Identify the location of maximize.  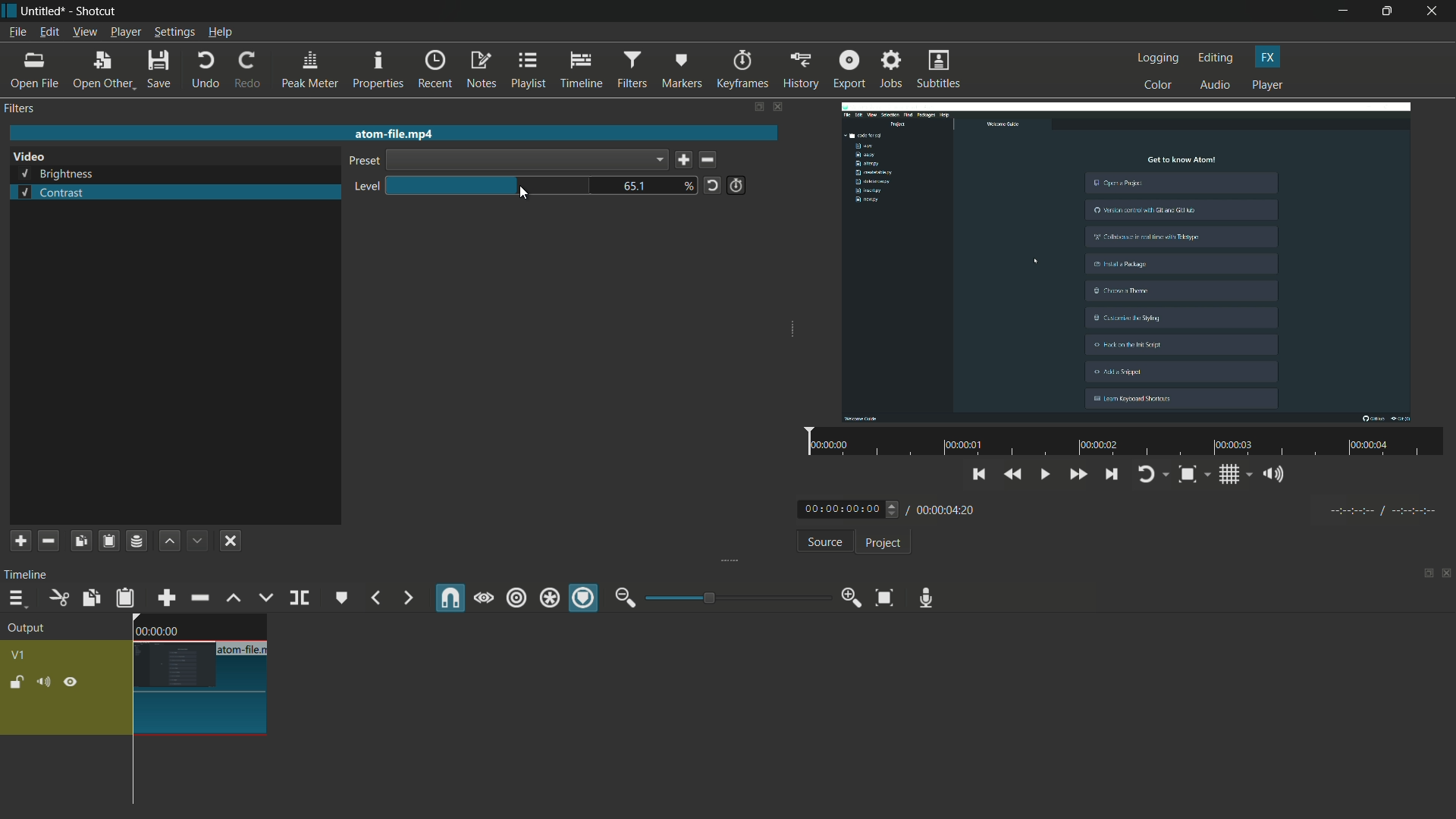
(1389, 11).